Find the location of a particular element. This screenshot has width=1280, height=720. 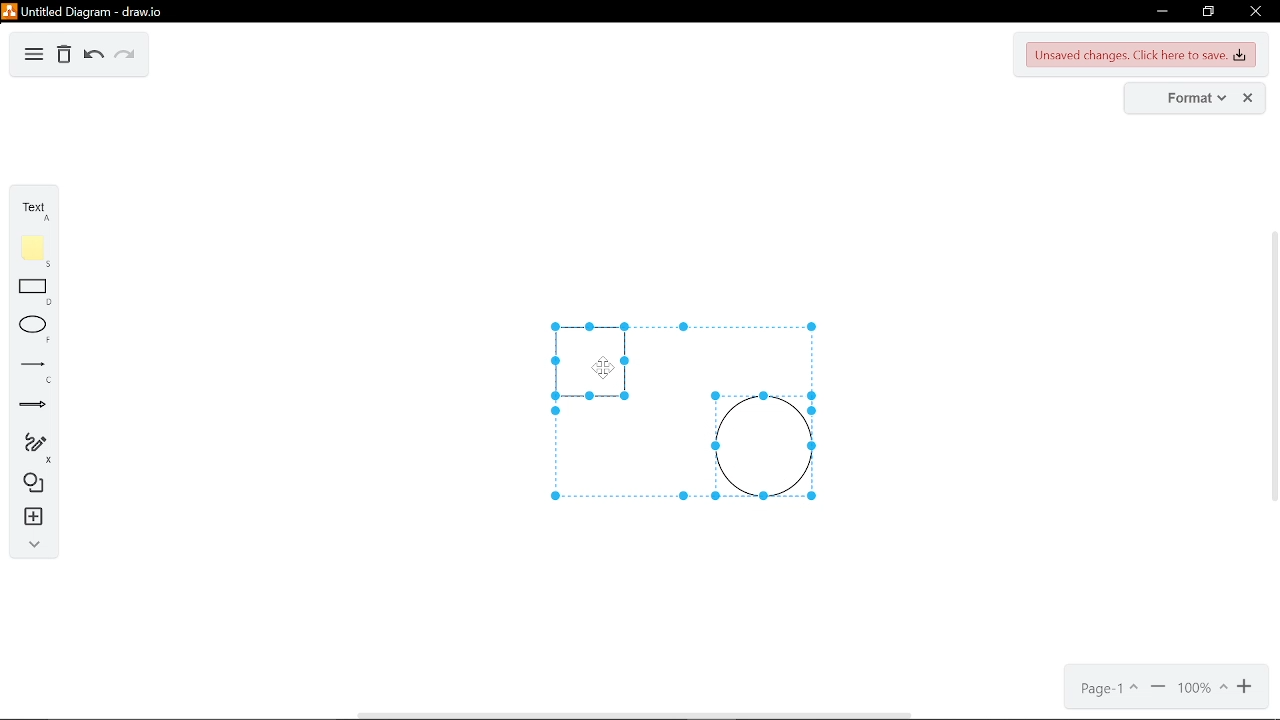

current page is located at coordinates (1107, 689).